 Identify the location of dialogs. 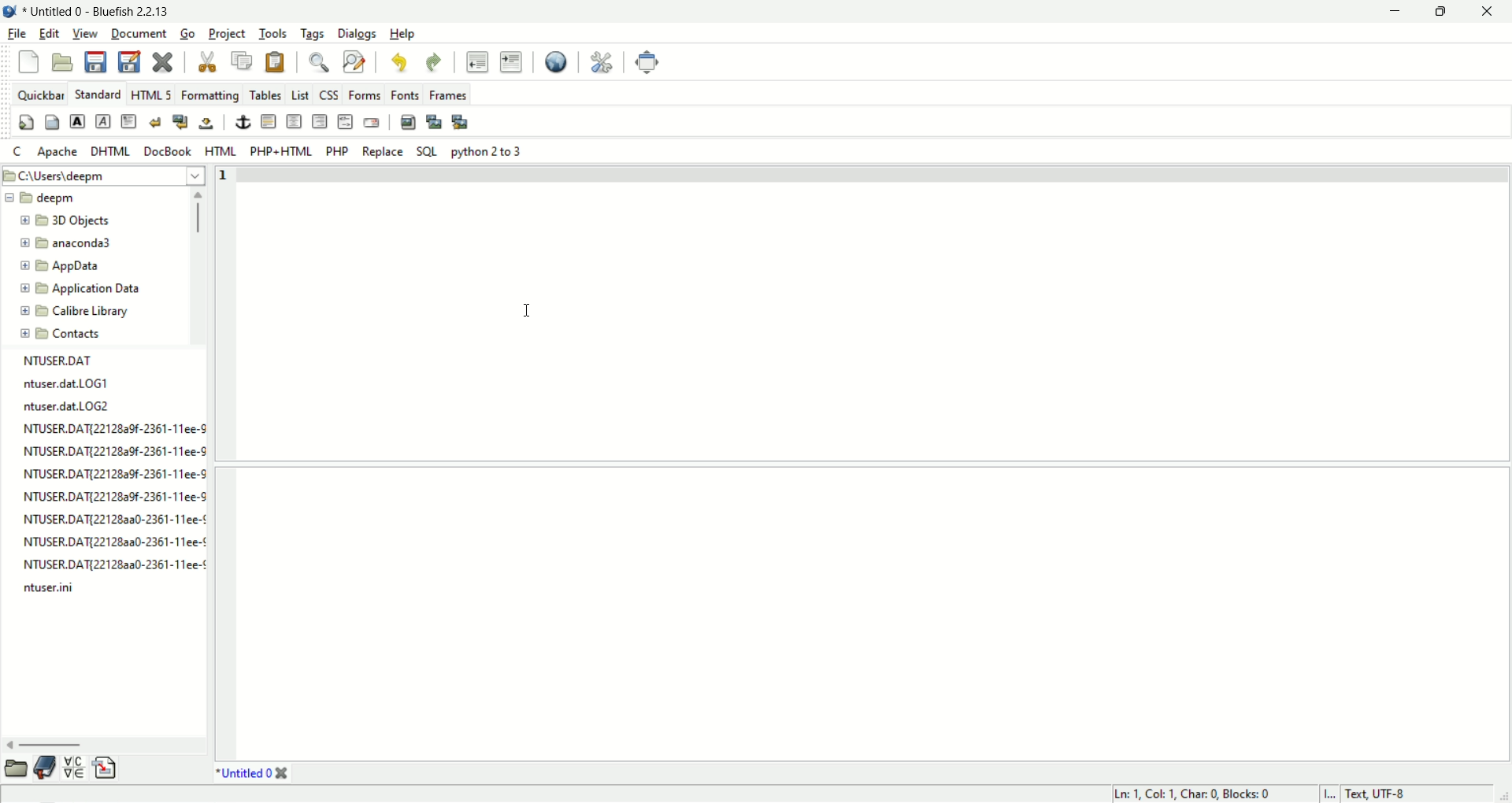
(356, 34).